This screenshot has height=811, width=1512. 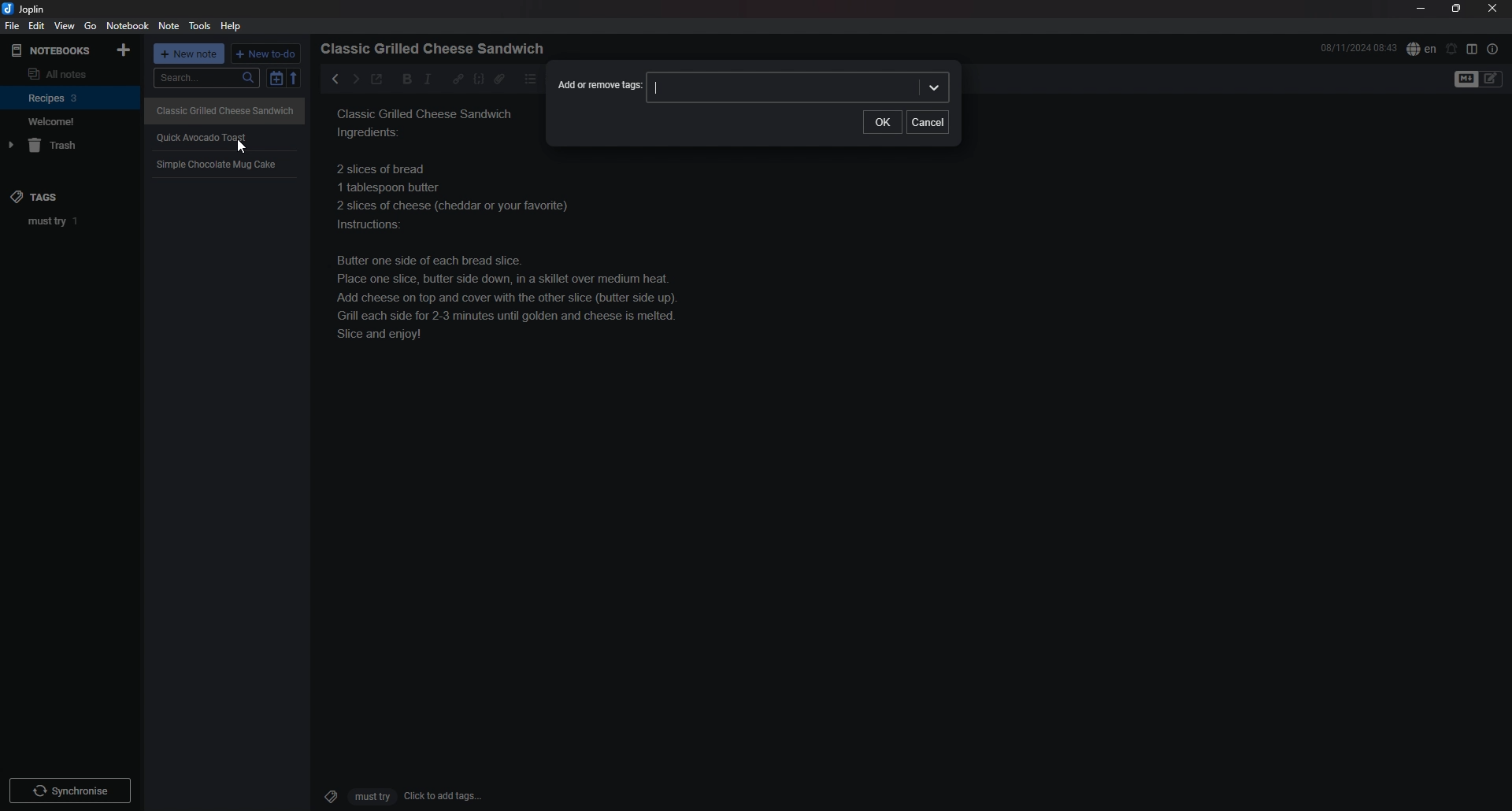 What do you see at coordinates (246, 148) in the screenshot?
I see `cursor` at bounding box center [246, 148].